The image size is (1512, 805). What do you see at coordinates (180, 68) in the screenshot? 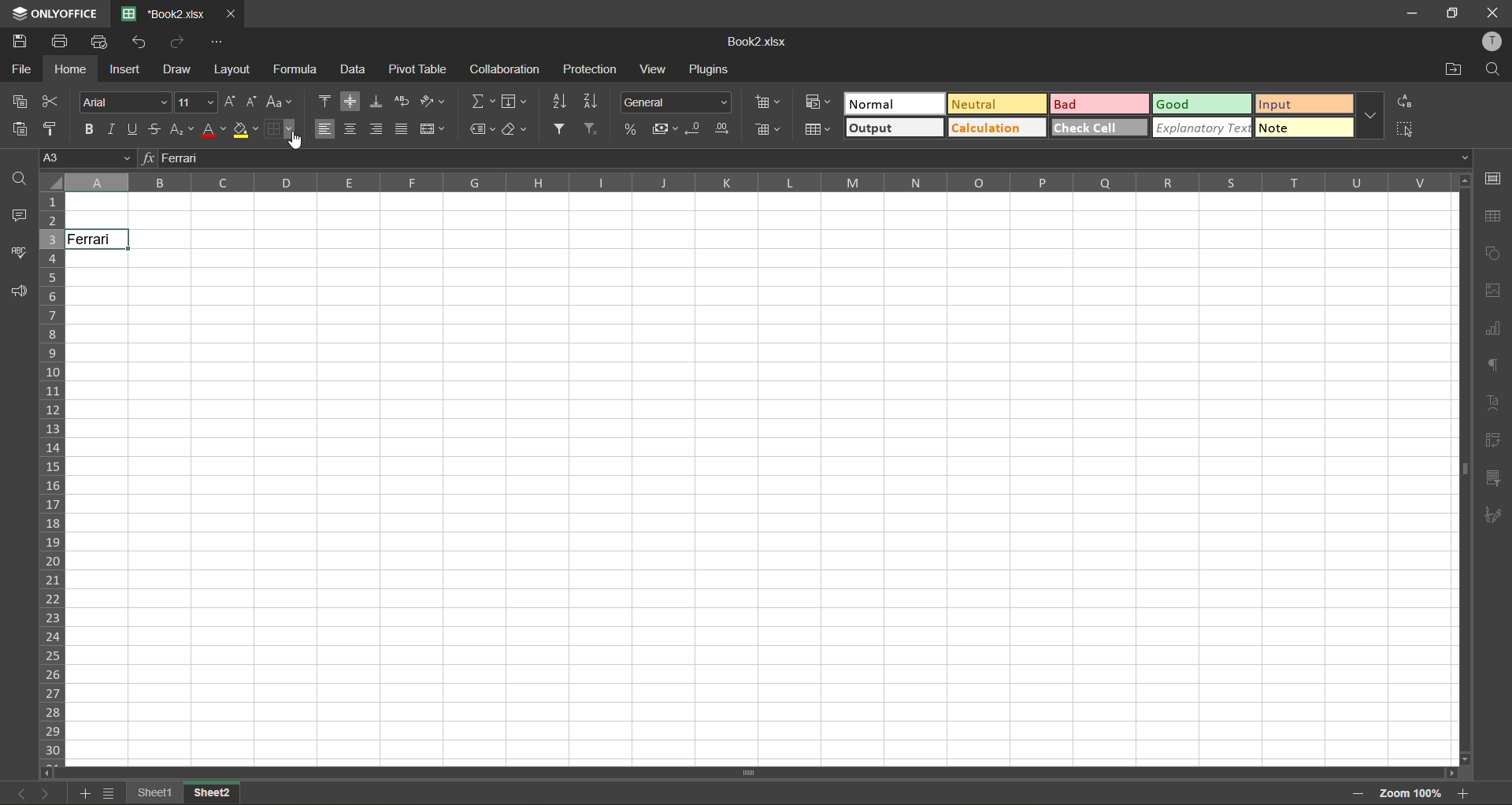
I see `draw` at bounding box center [180, 68].